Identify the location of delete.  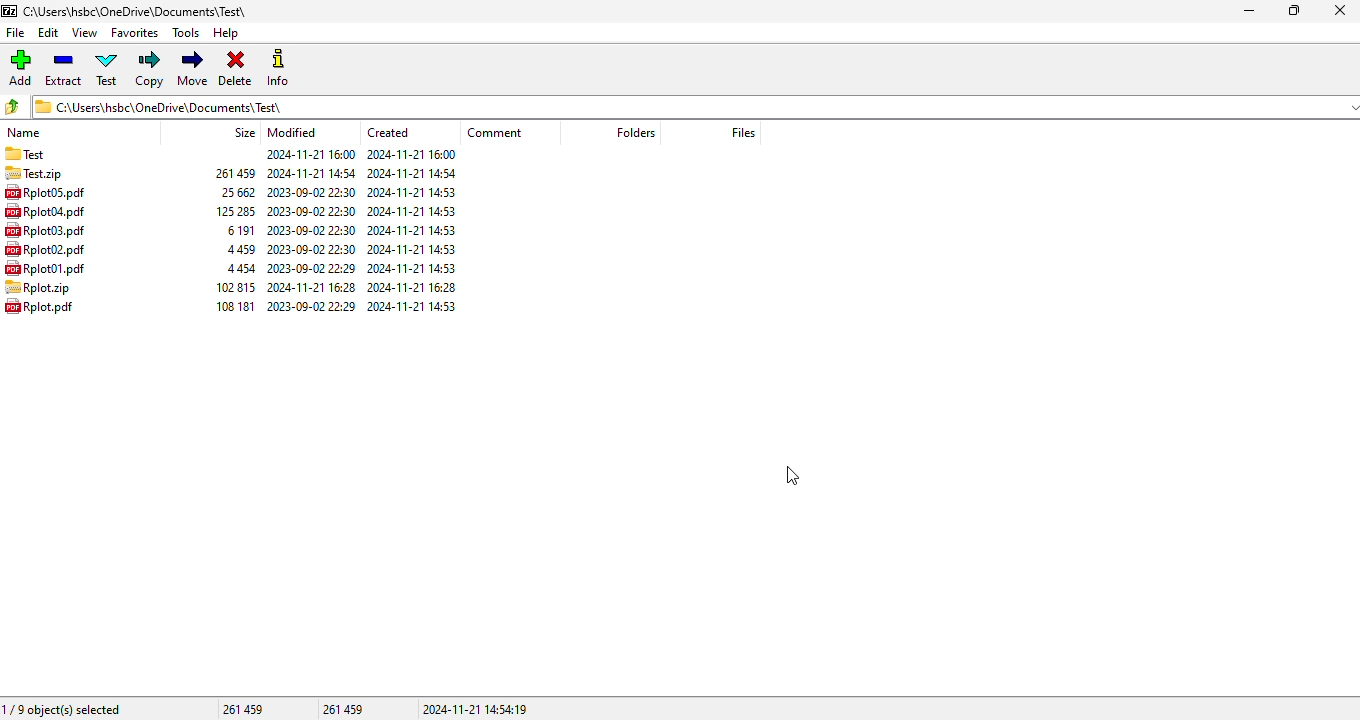
(236, 69).